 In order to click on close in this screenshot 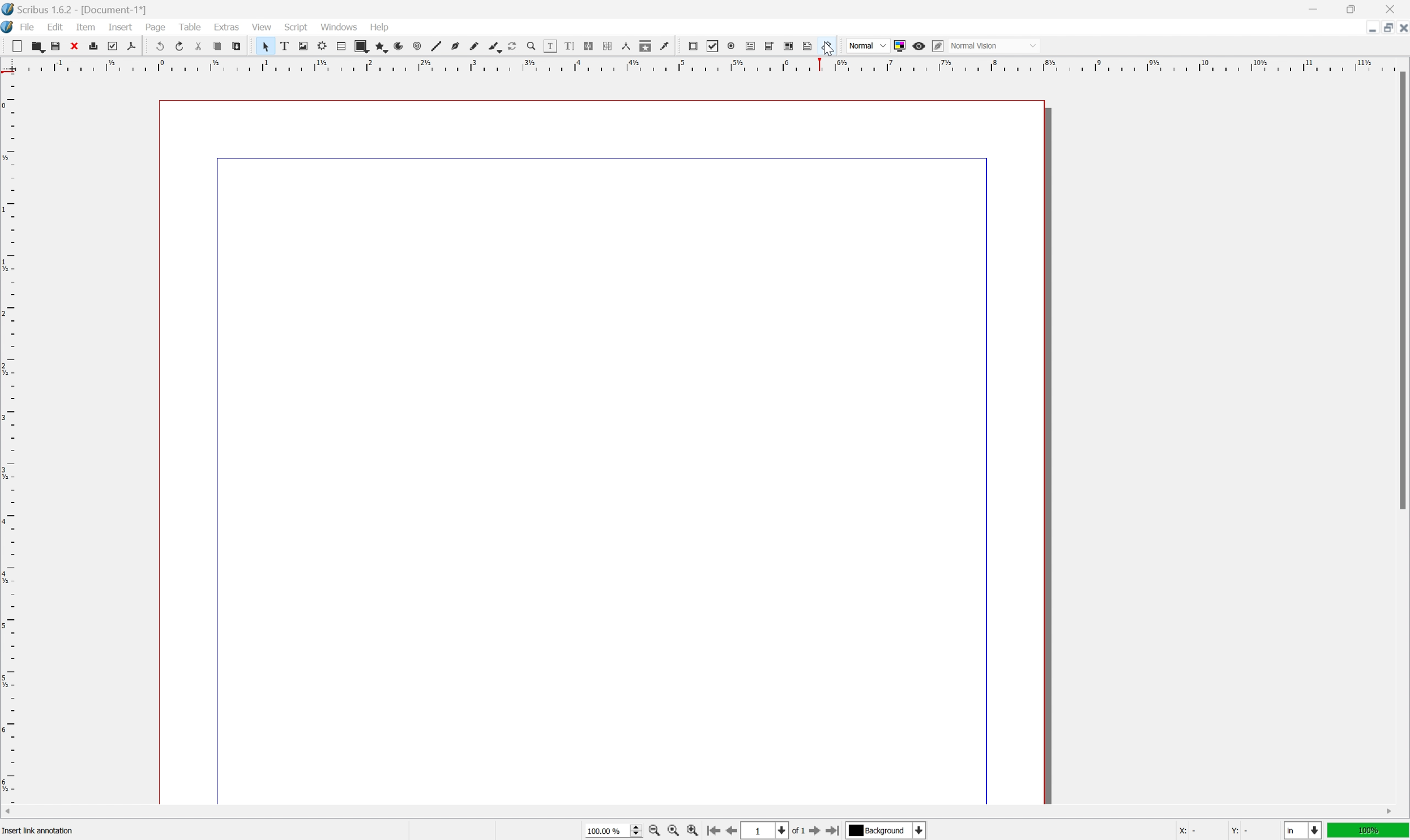, I will do `click(1391, 9)`.